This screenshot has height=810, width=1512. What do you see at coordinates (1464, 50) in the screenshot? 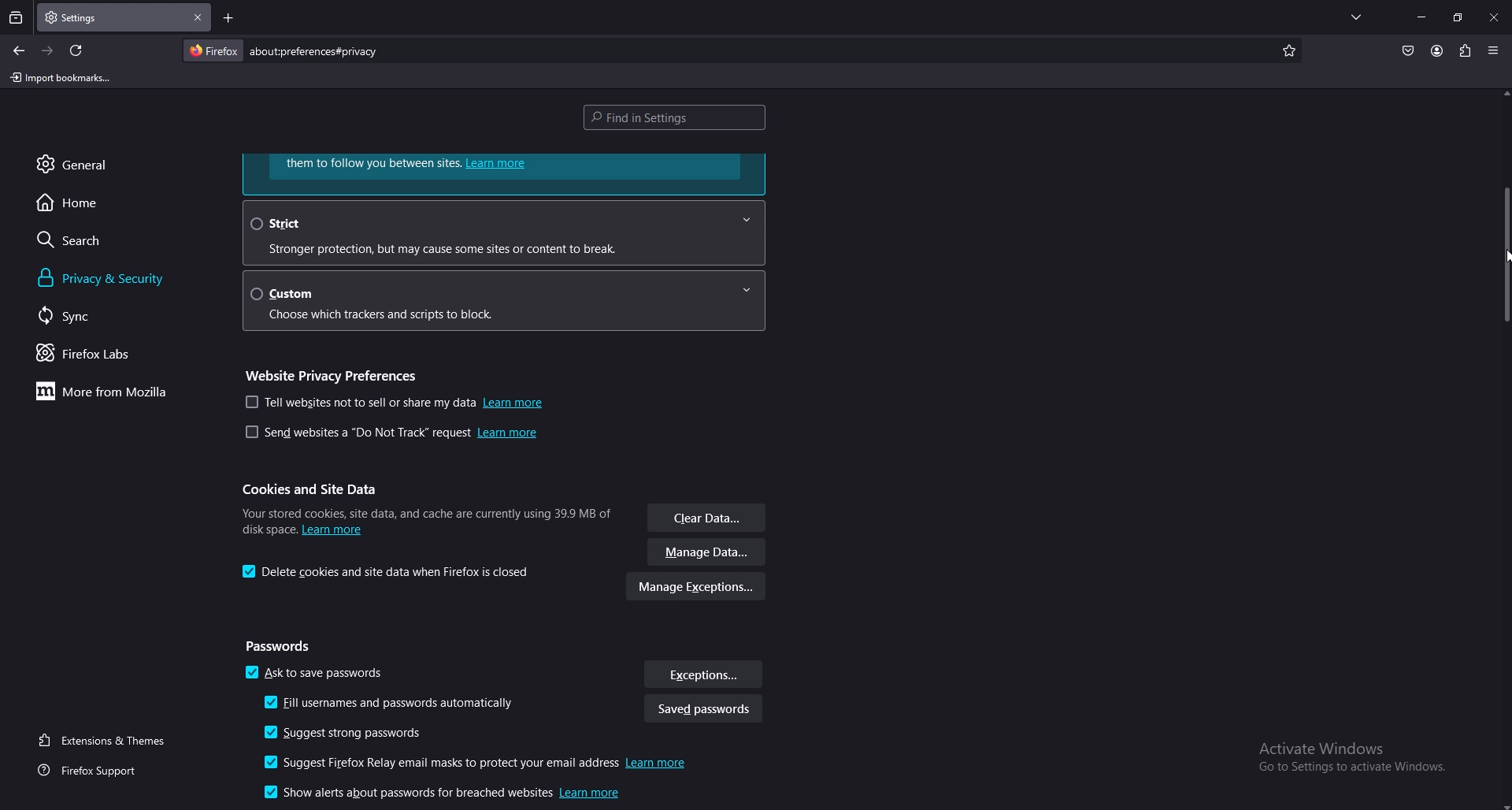
I see `extension` at bounding box center [1464, 50].